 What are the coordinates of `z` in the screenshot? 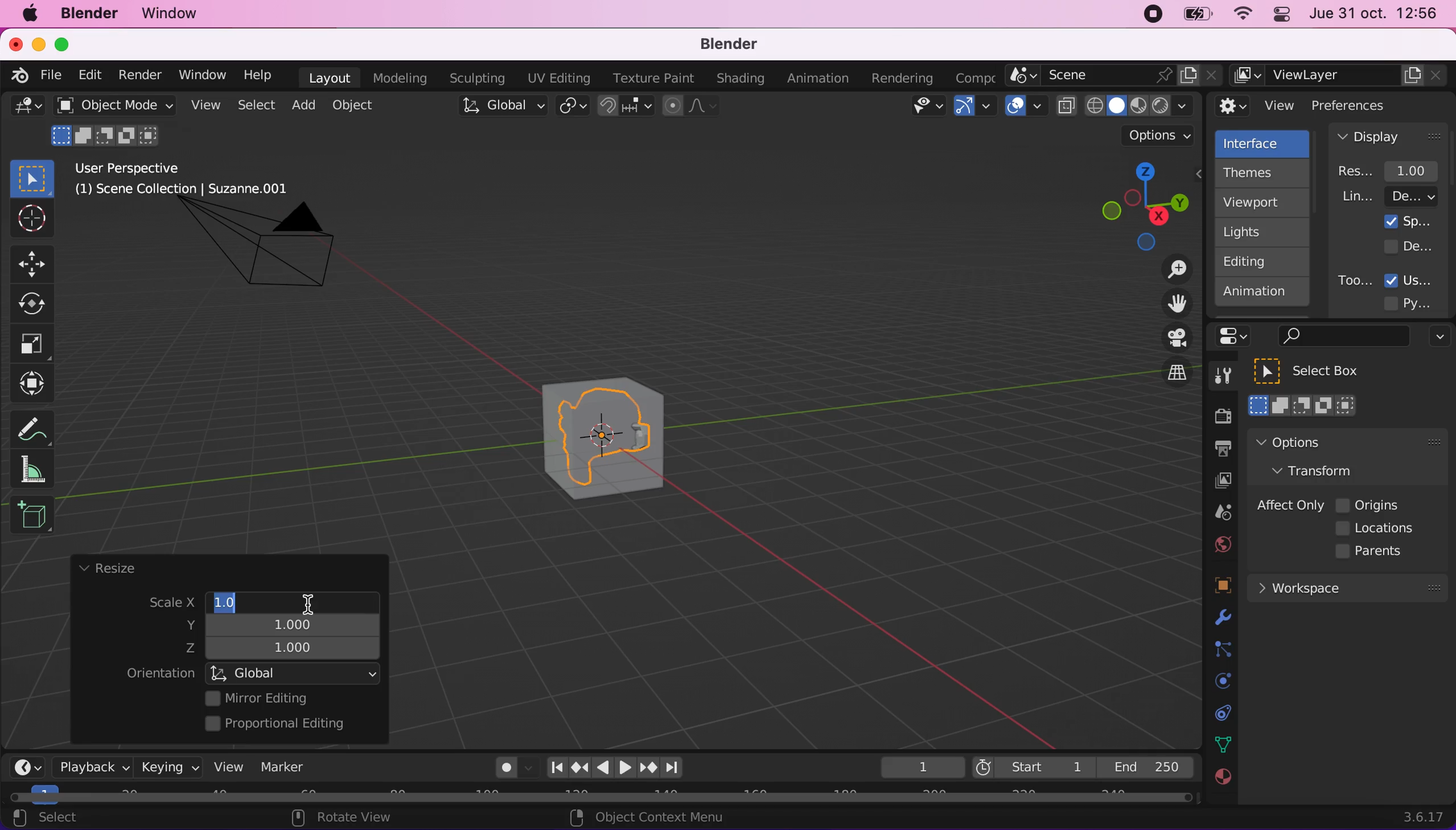 It's located at (287, 649).